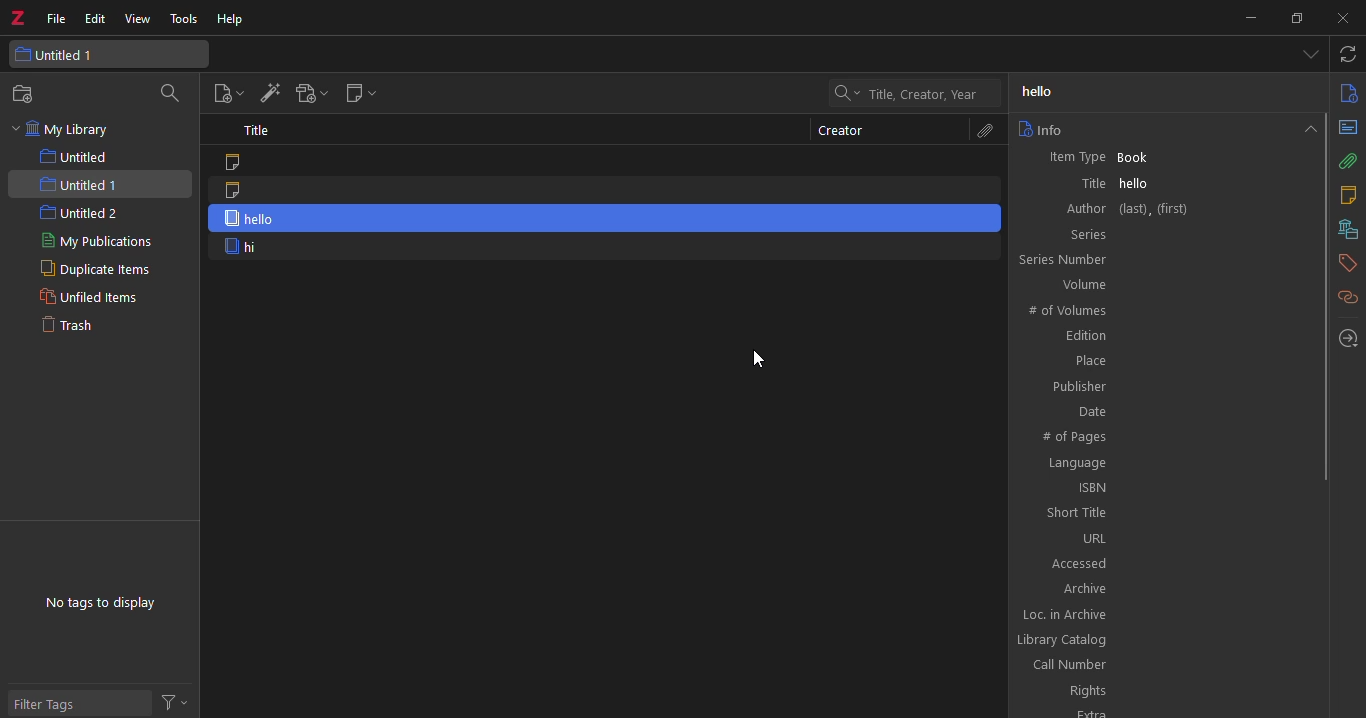 The image size is (1366, 718). What do you see at coordinates (268, 95) in the screenshot?
I see `add item` at bounding box center [268, 95].